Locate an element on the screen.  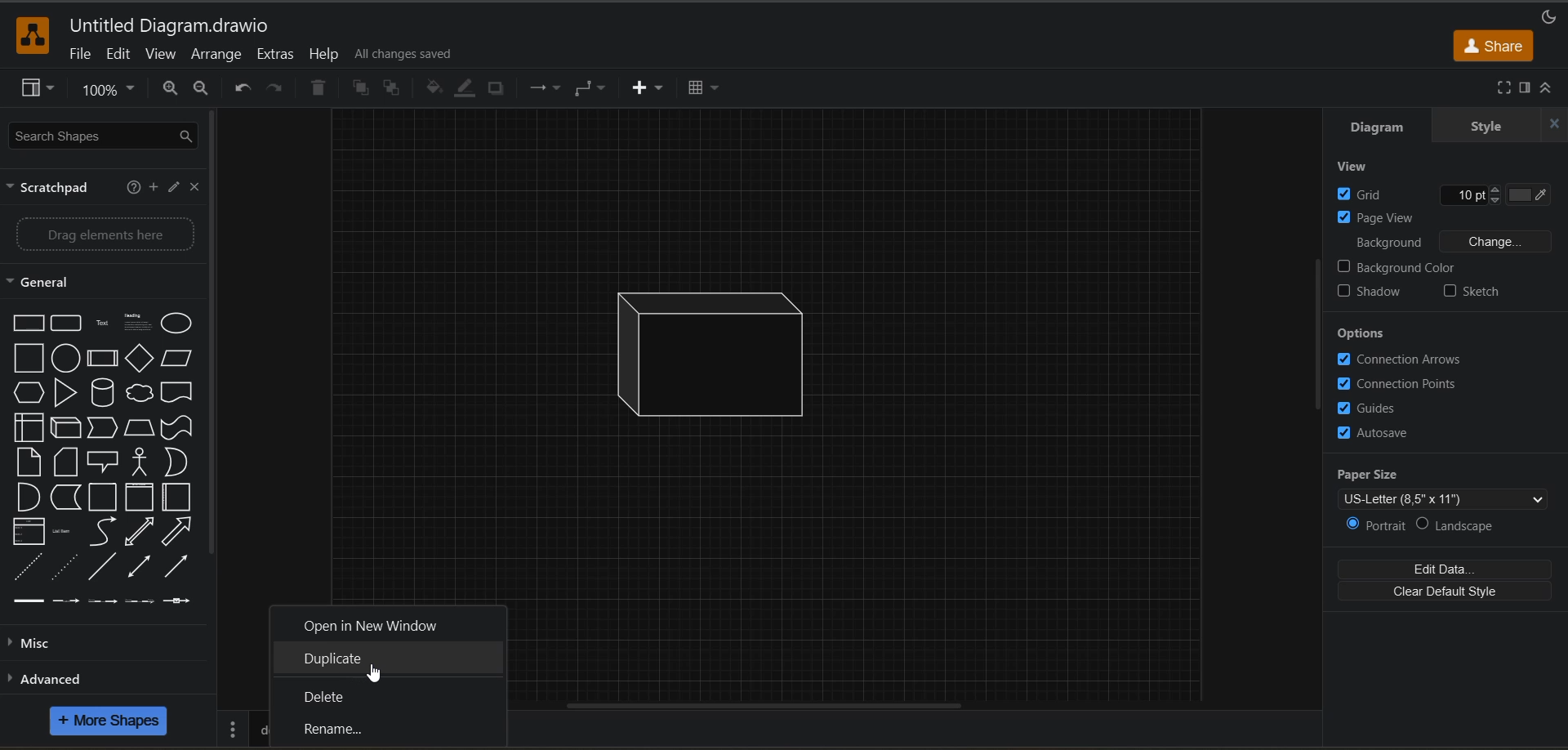
duplicate is located at coordinates (370, 661).